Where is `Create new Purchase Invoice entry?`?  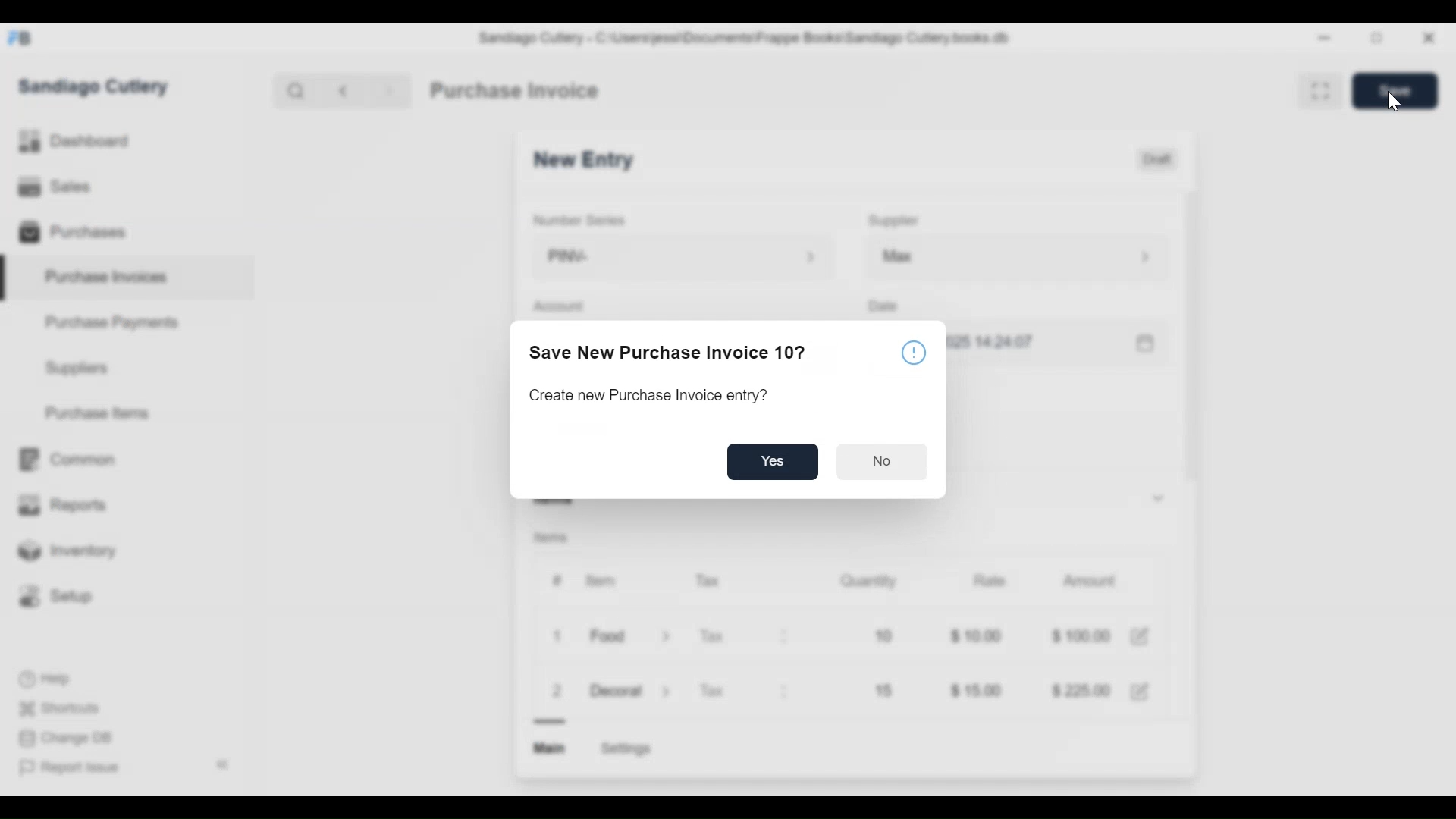 Create new Purchase Invoice entry? is located at coordinates (648, 395).